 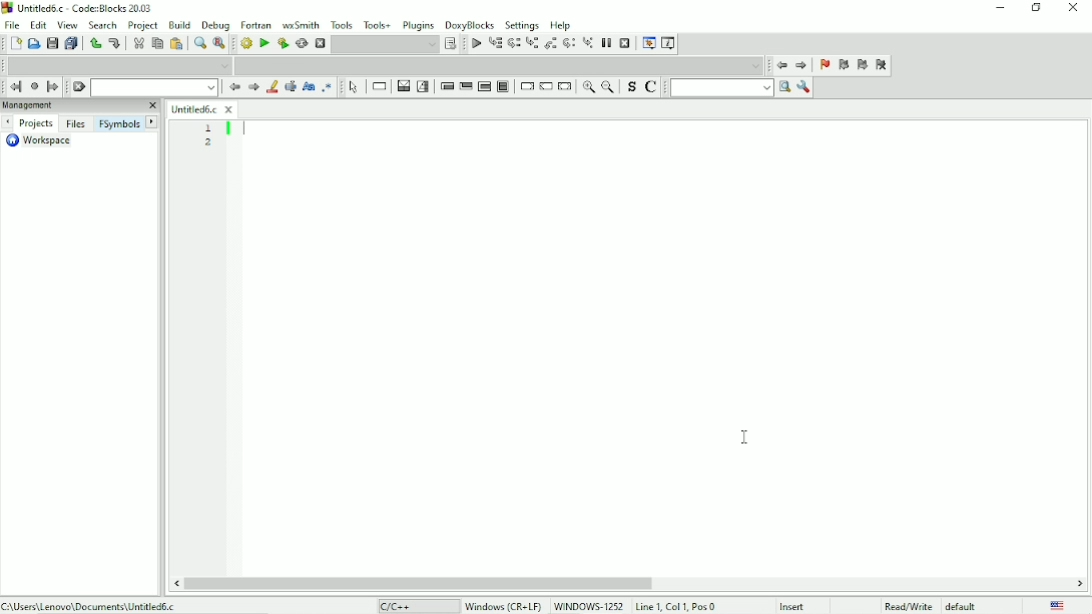 I want to click on Use regex, so click(x=329, y=87).